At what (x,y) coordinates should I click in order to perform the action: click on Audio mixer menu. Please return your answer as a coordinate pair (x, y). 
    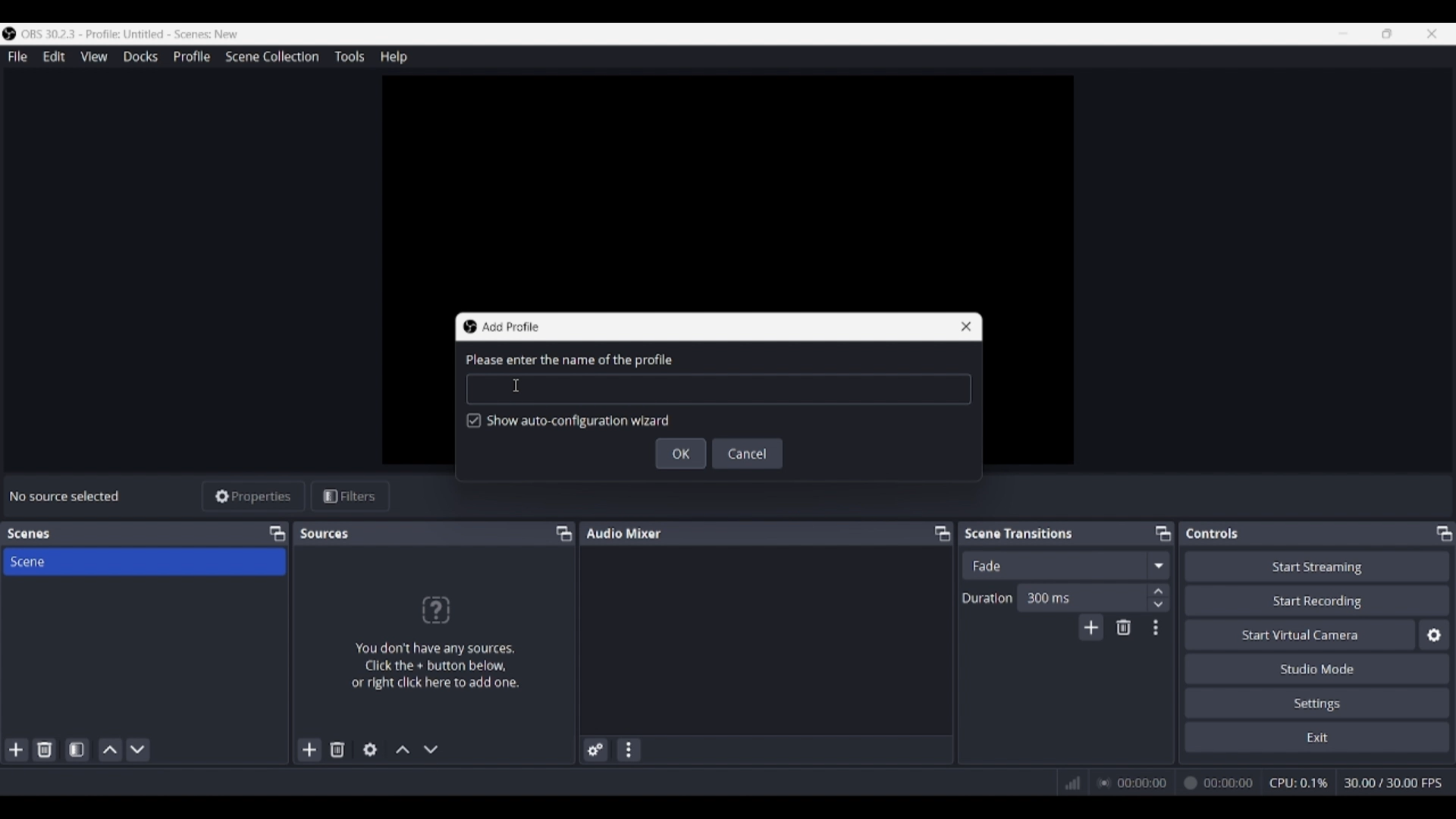
    Looking at the image, I should click on (628, 750).